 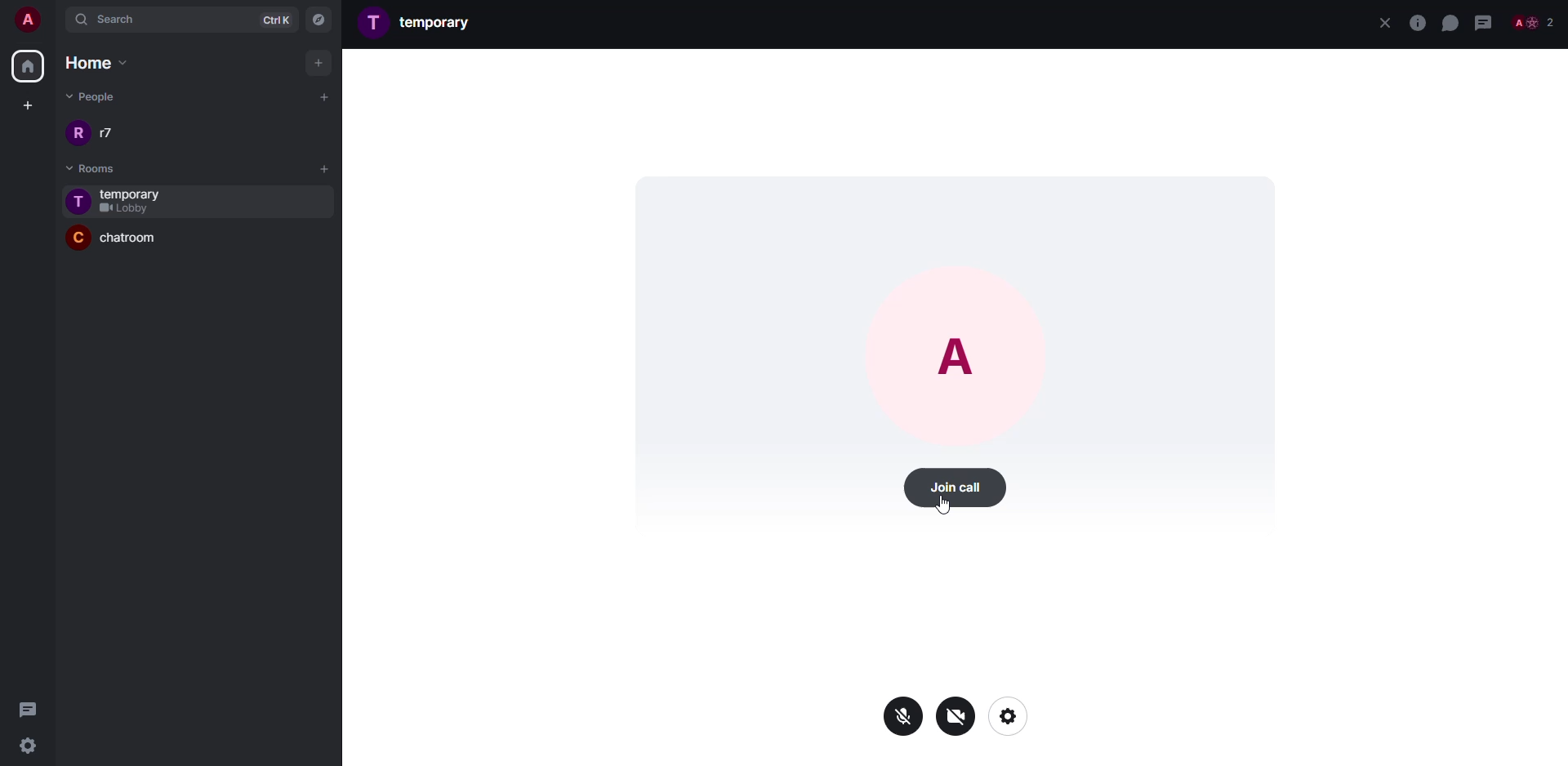 I want to click on navigator, so click(x=318, y=20).